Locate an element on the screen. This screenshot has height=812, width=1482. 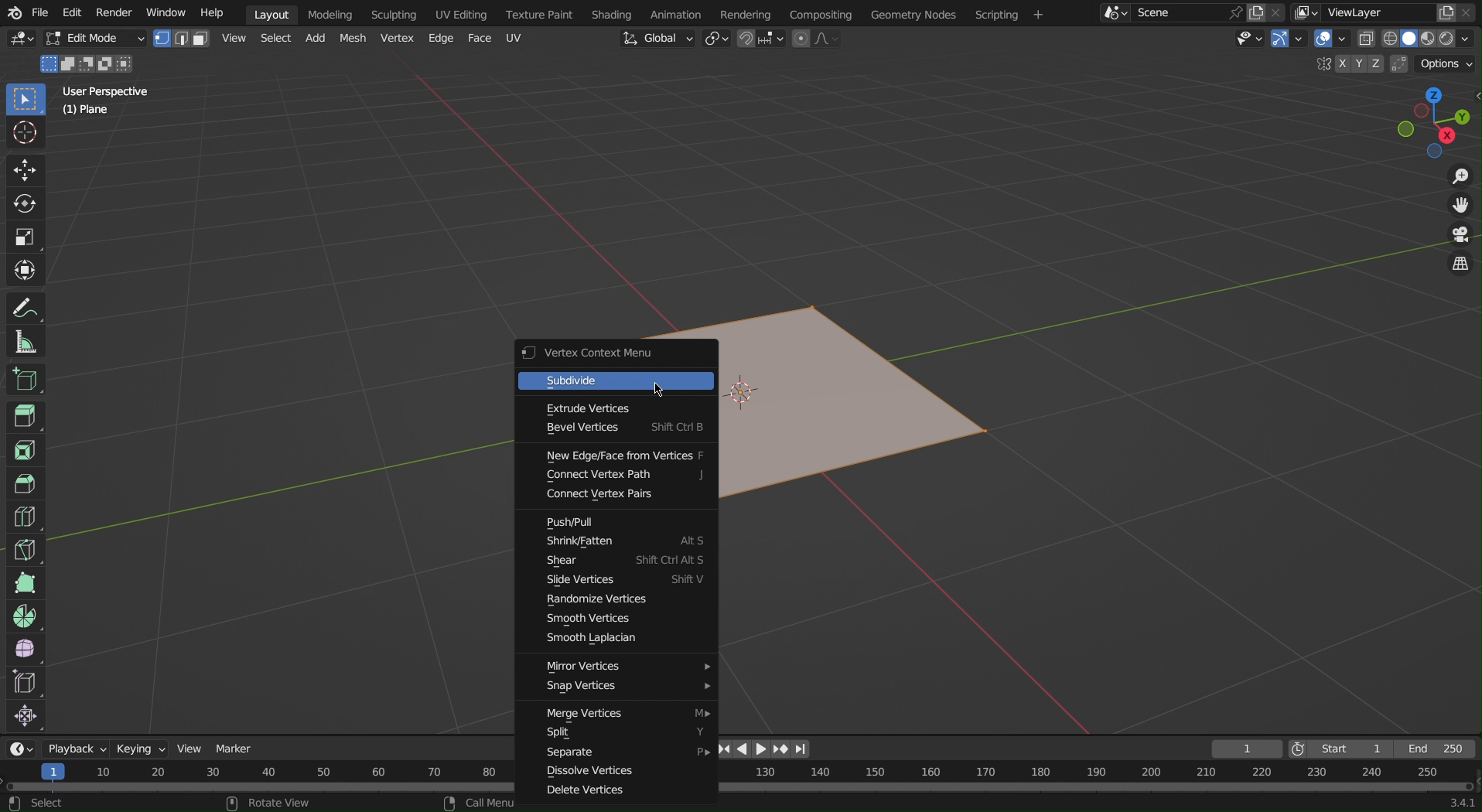
Smooth Vertices is located at coordinates (618, 619).